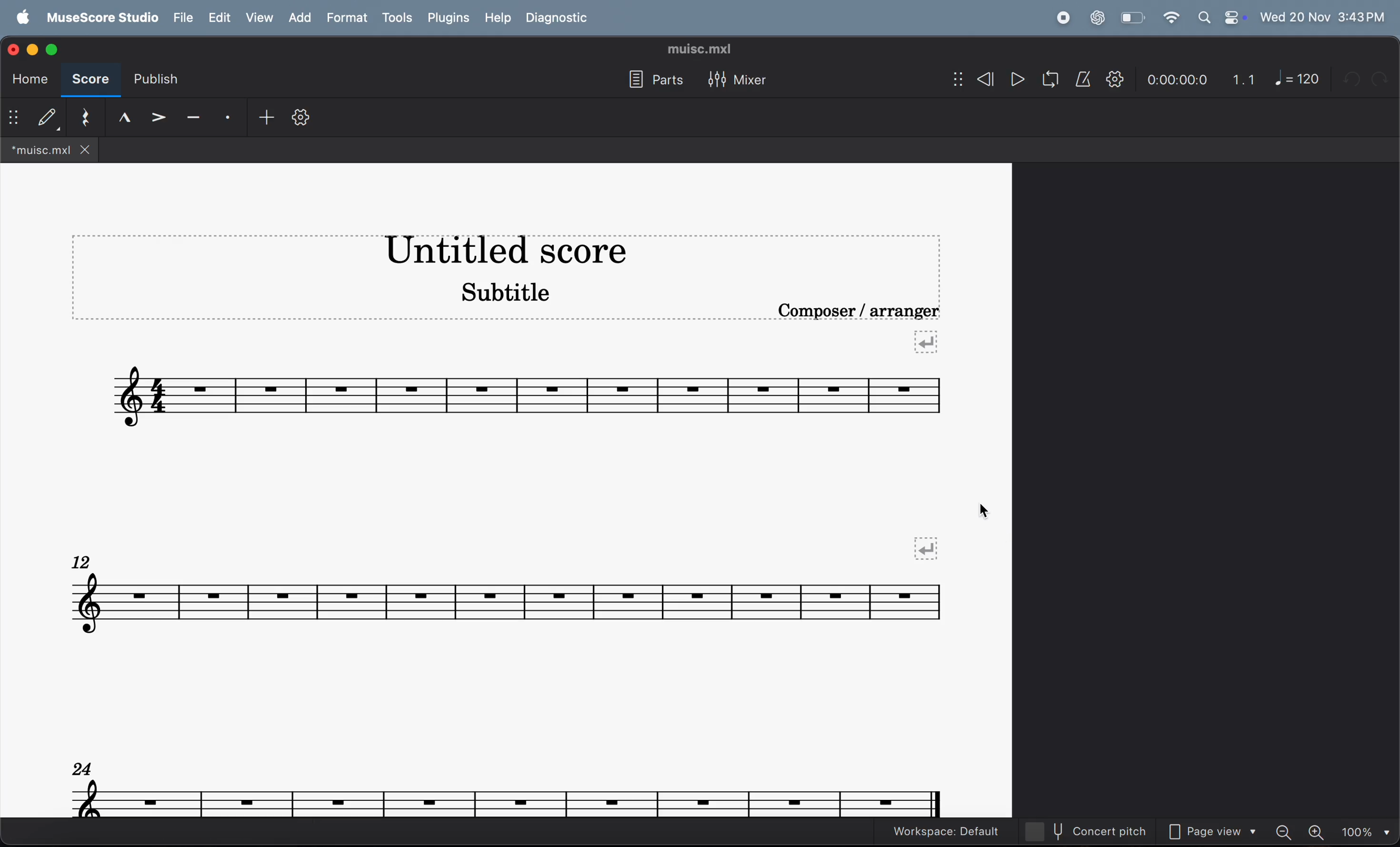 The image size is (1400, 847). I want to click on redo, so click(1384, 79).